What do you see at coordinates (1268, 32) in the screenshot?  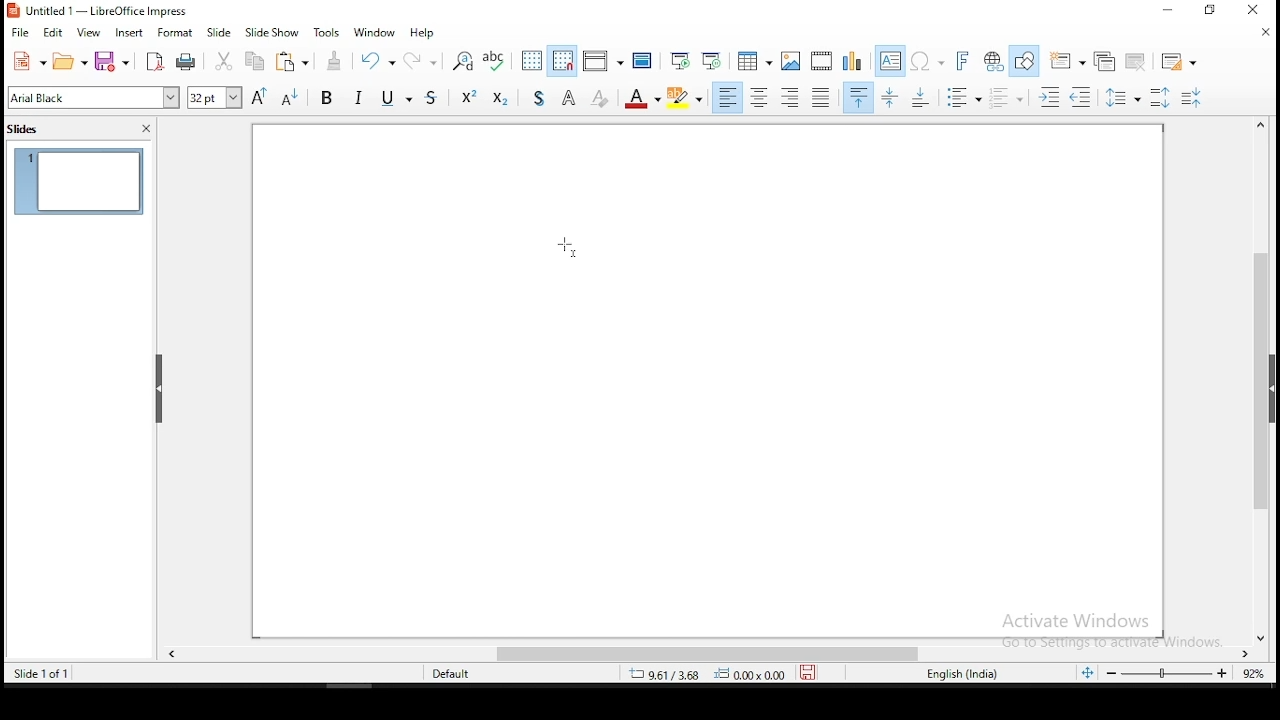 I see `close` at bounding box center [1268, 32].